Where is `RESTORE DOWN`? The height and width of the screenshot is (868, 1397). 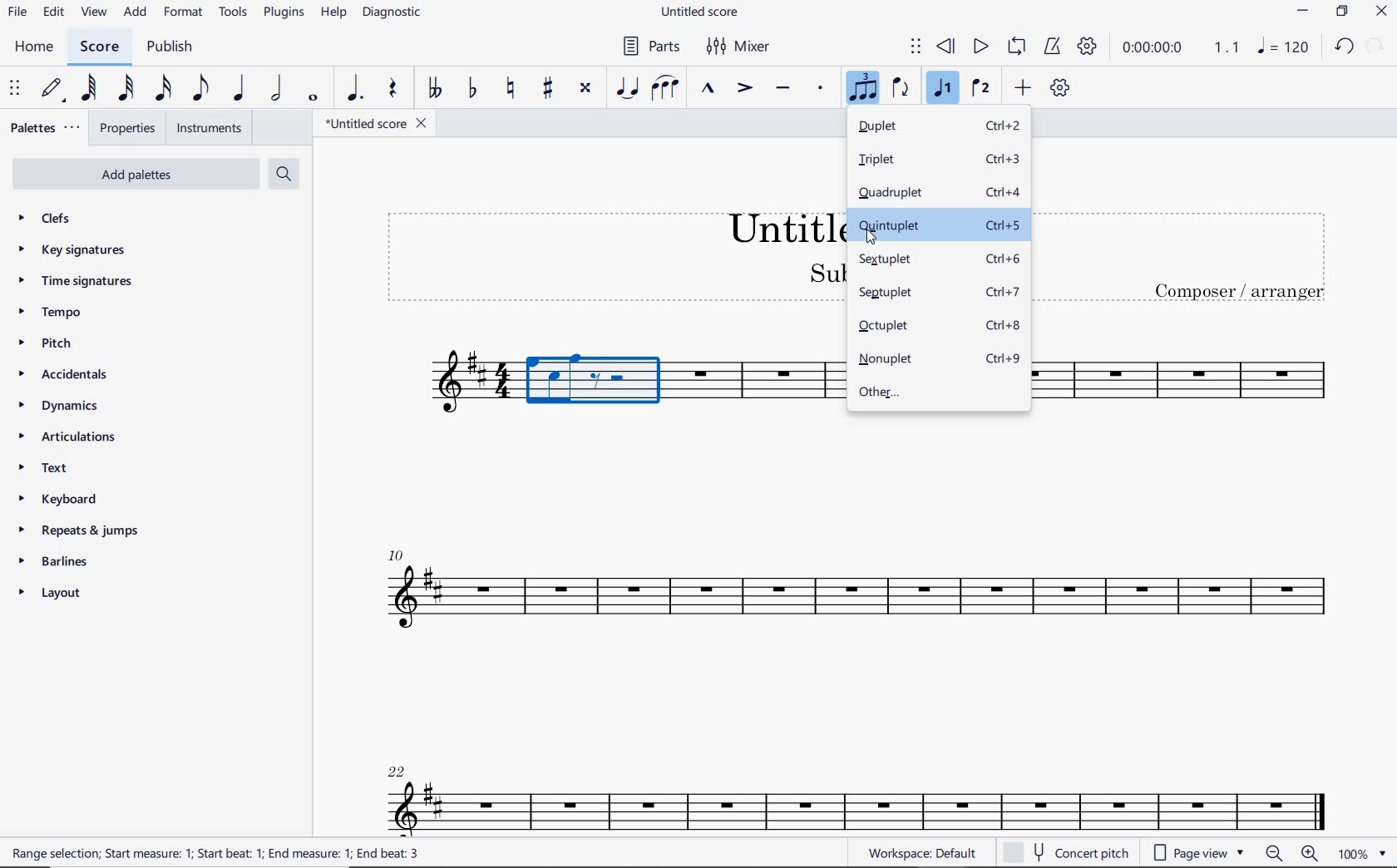 RESTORE DOWN is located at coordinates (1342, 12).